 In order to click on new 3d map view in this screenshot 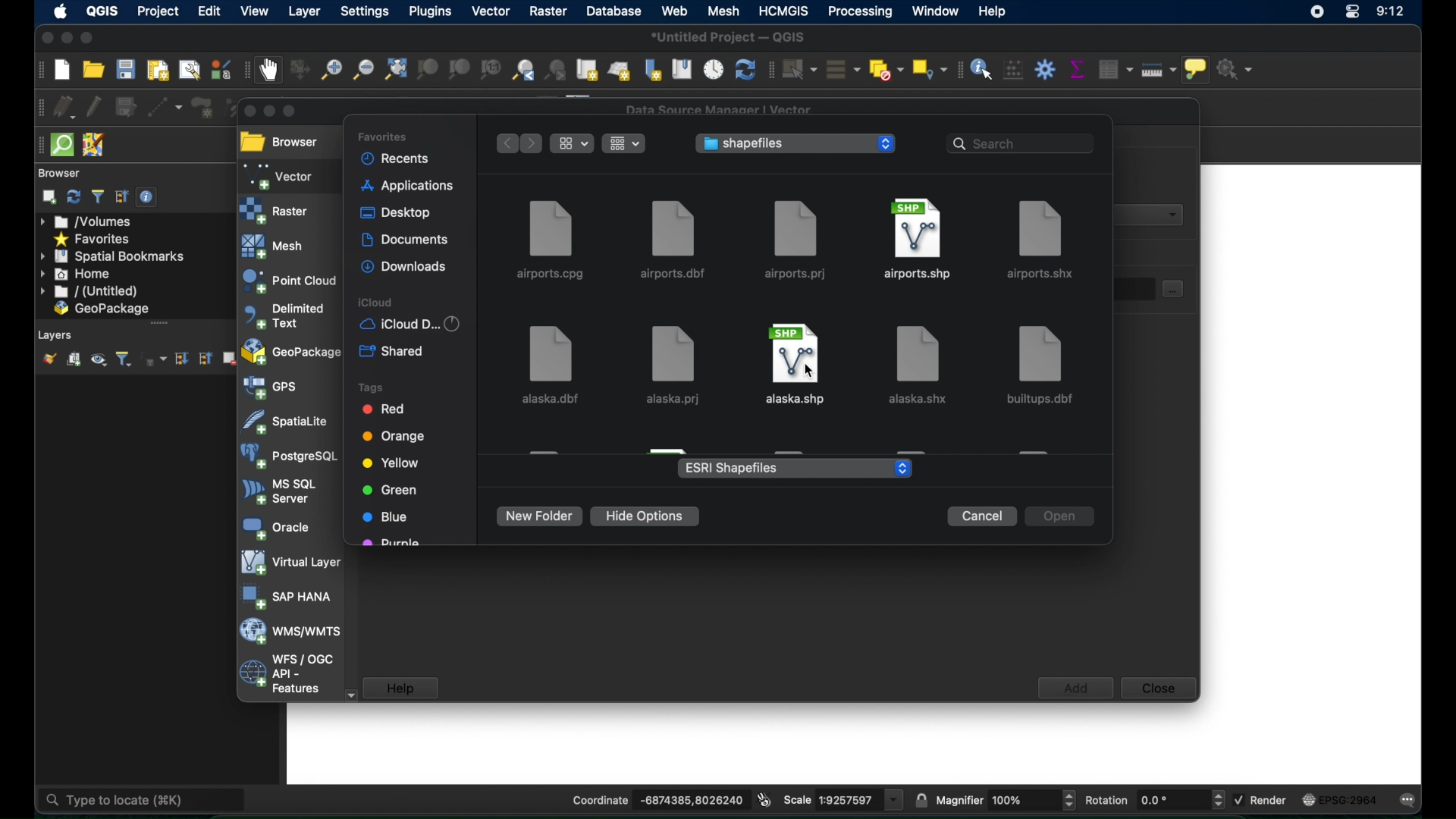, I will do `click(620, 72)`.